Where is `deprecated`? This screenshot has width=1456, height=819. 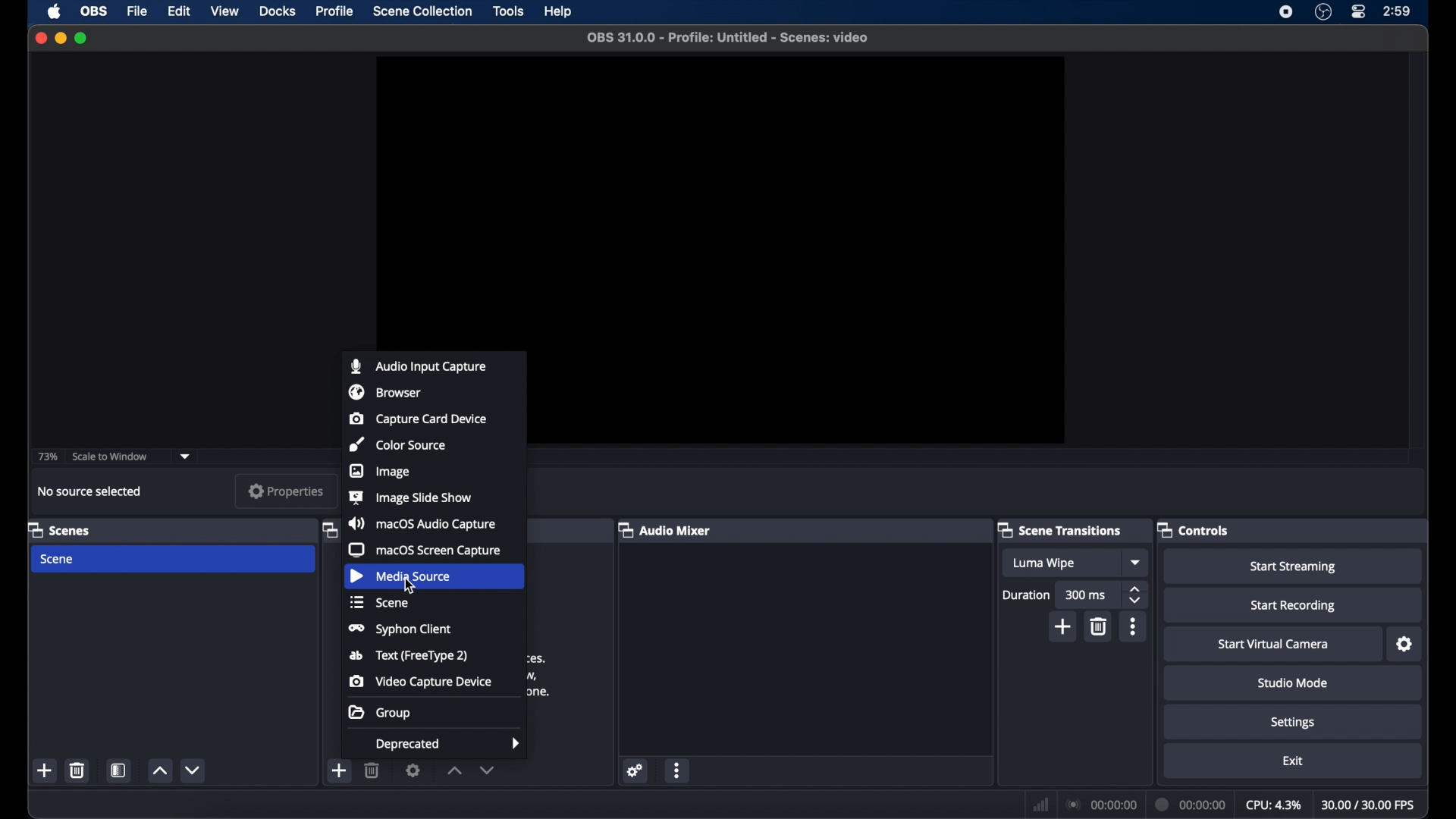
deprecated is located at coordinates (449, 744).